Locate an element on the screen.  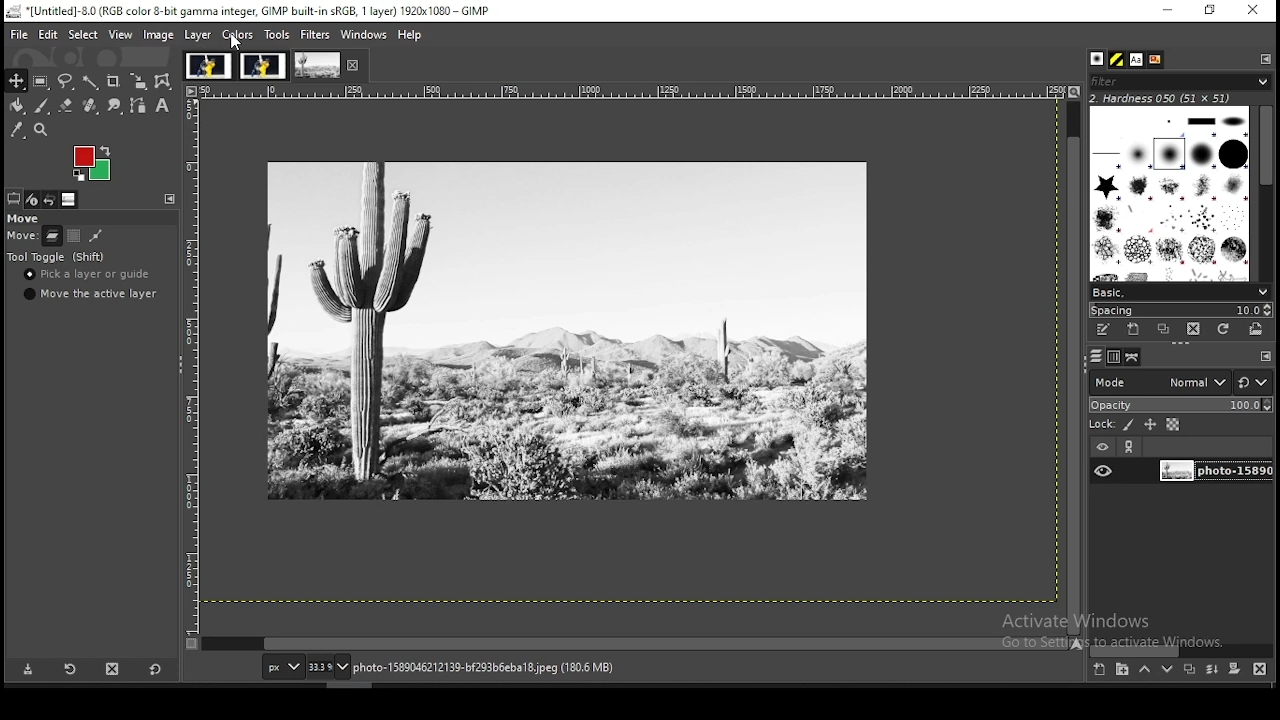
mode is located at coordinates (1159, 381).